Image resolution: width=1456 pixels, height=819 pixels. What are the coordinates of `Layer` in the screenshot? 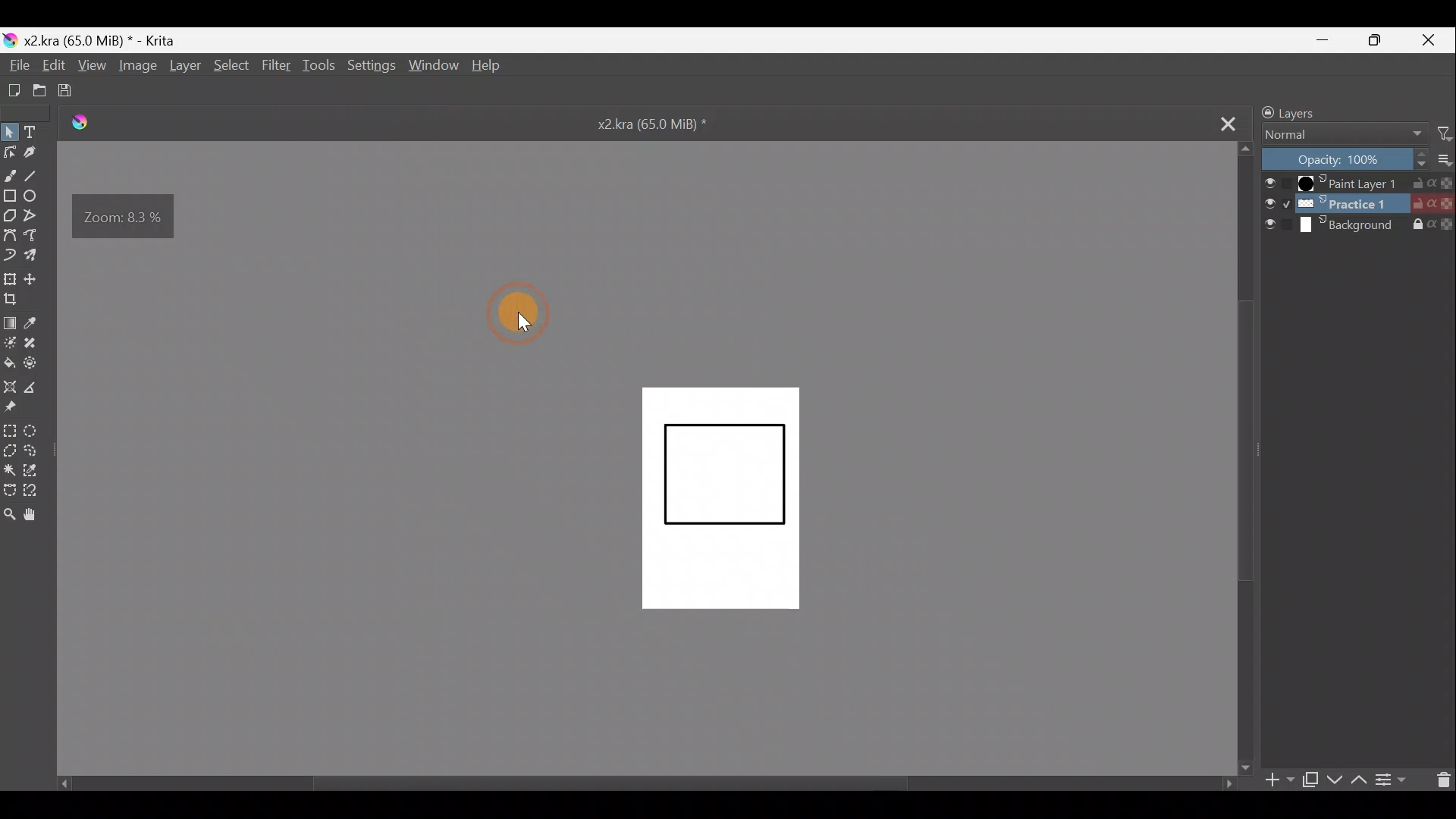 It's located at (184, 67).